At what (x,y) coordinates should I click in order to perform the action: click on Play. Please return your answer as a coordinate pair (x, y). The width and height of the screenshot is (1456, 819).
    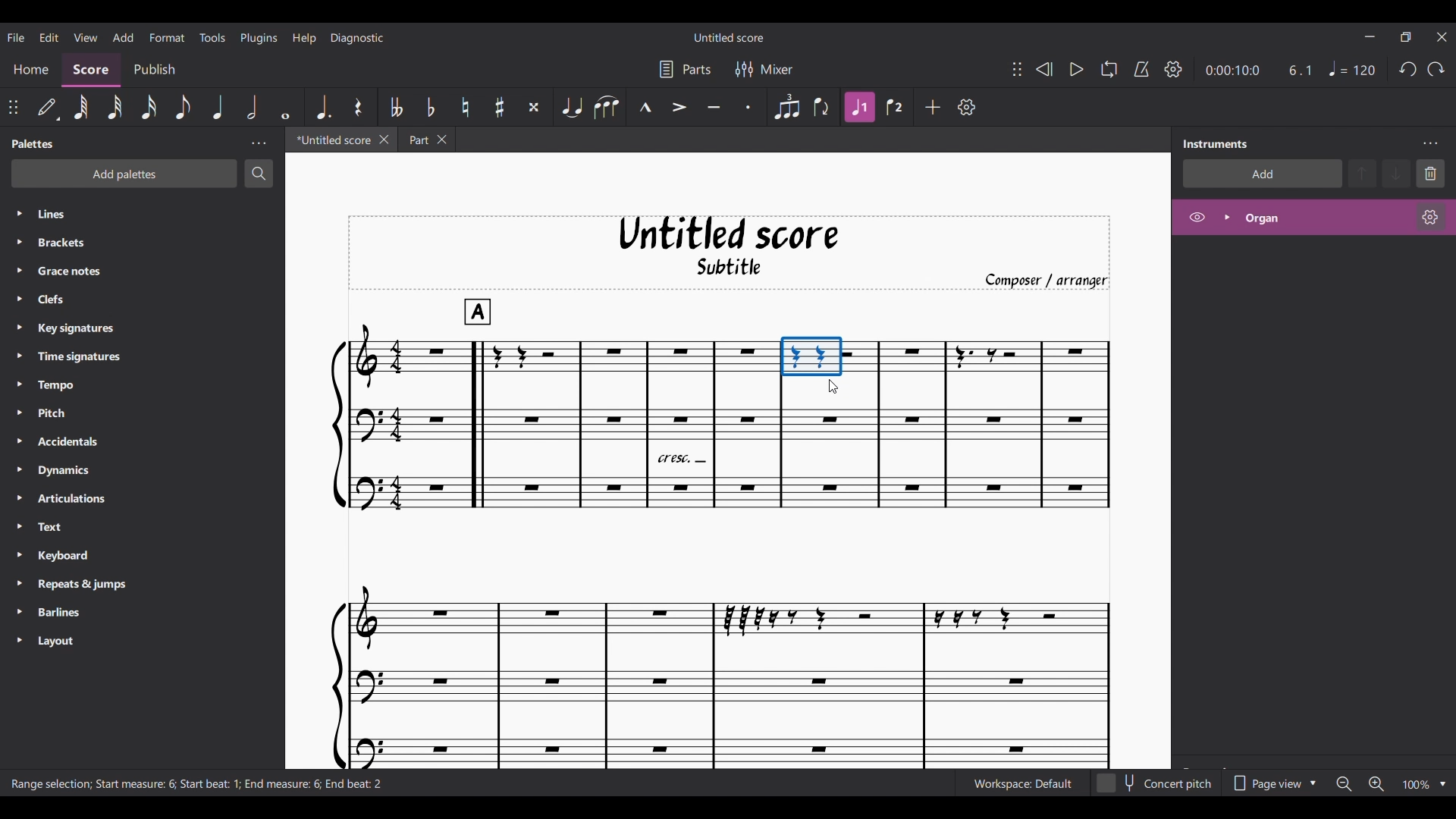
    Looking at the image, I should click on (1077, 70).